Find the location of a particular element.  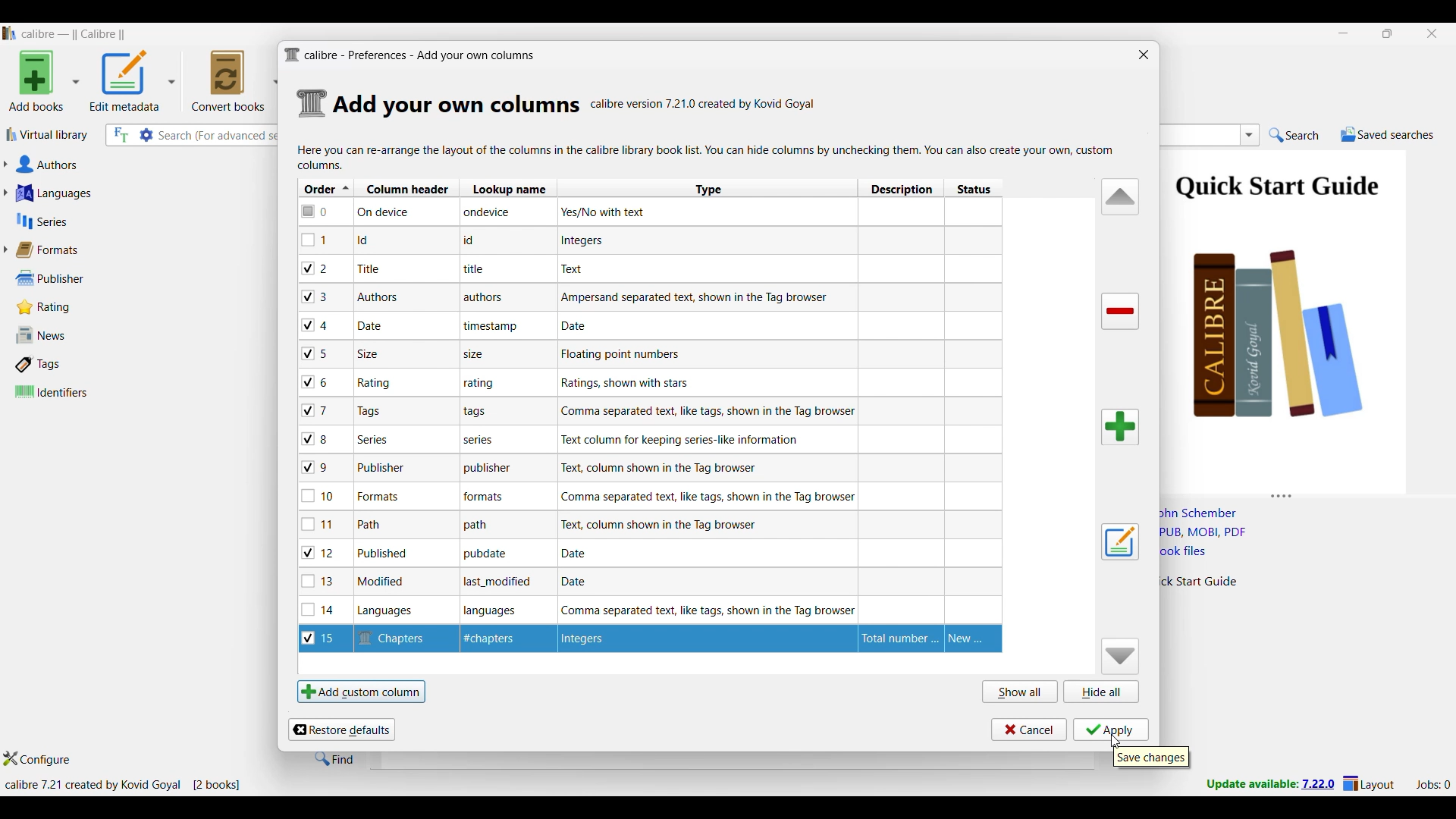

note is located at coordinates (476, 412).